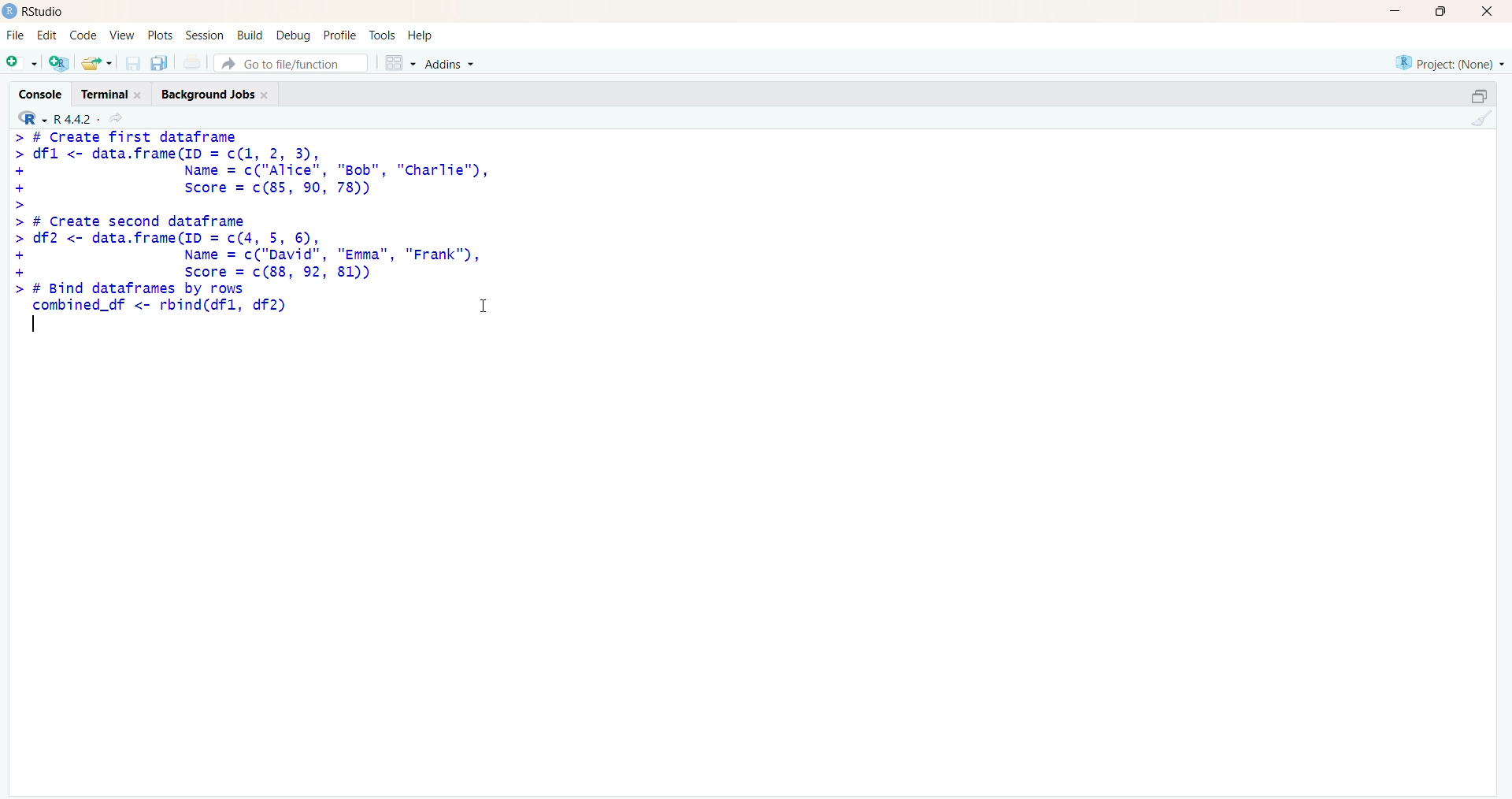 This screenshot has width=1512, height=799. What do you see at coordinates (23, 64) in the screenshot?
I see `new file` at bounding box center [23, 64].